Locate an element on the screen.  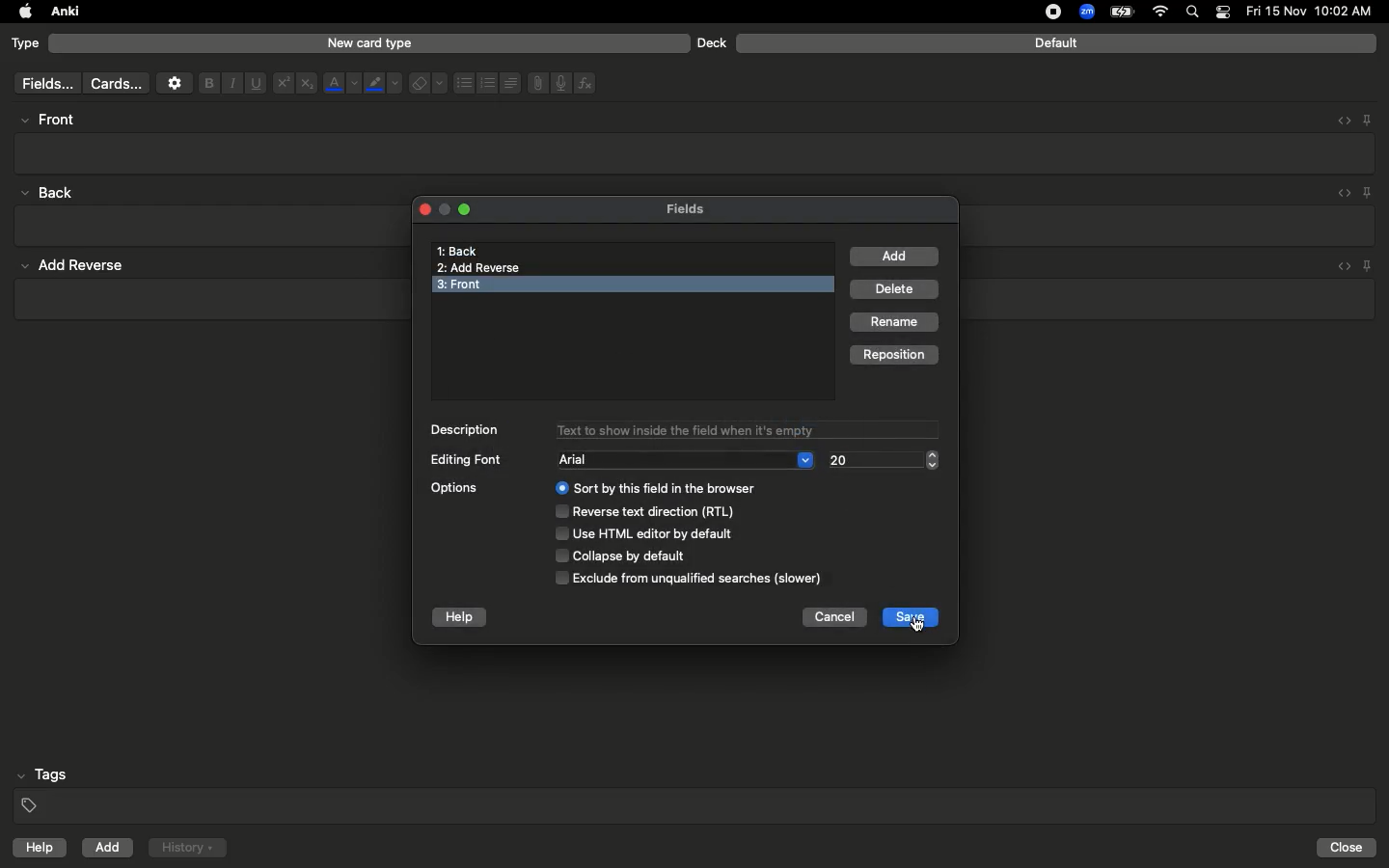
Bold is located at coordinates (207, 82).